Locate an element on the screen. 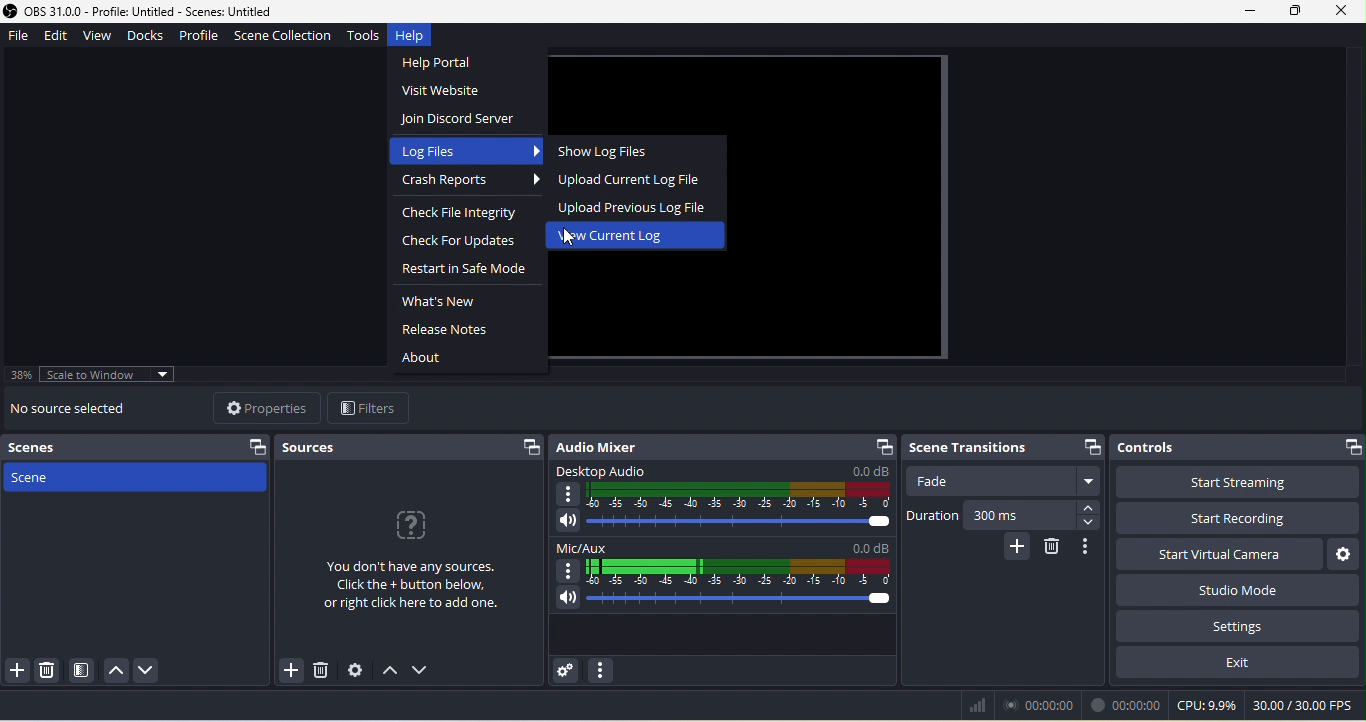 This screenshot has height=722, width=1366. edit is located at coordinates (60, 37).